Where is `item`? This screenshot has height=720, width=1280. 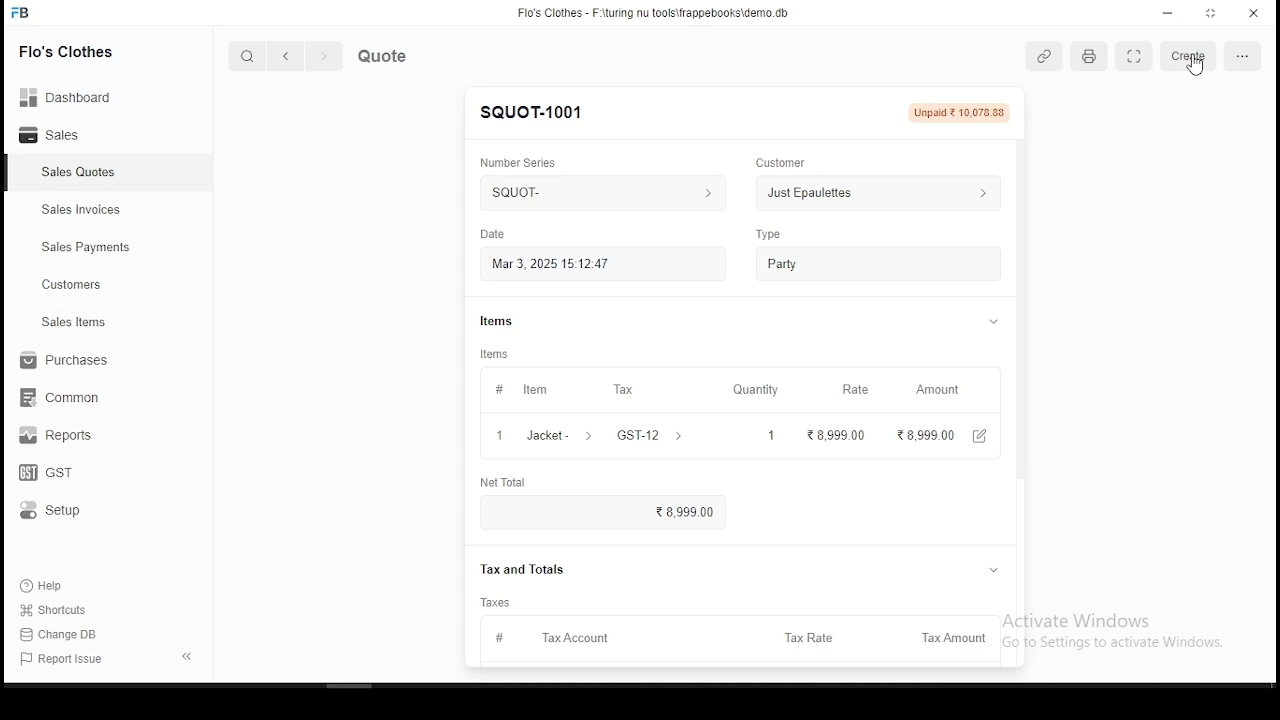 item is located at coordinates (524, 388).